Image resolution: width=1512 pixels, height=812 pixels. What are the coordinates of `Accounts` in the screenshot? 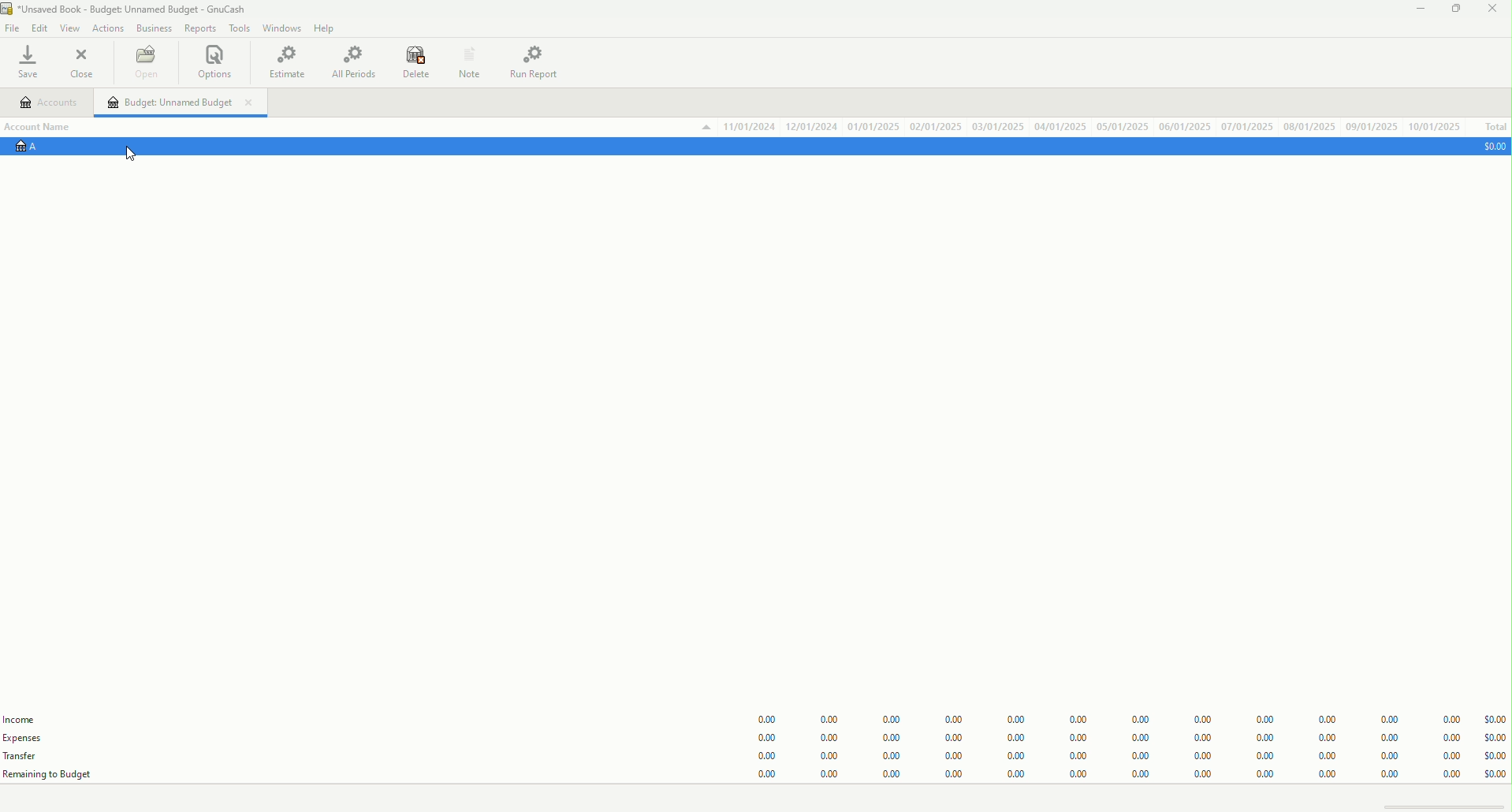 It's located at (42, 102).